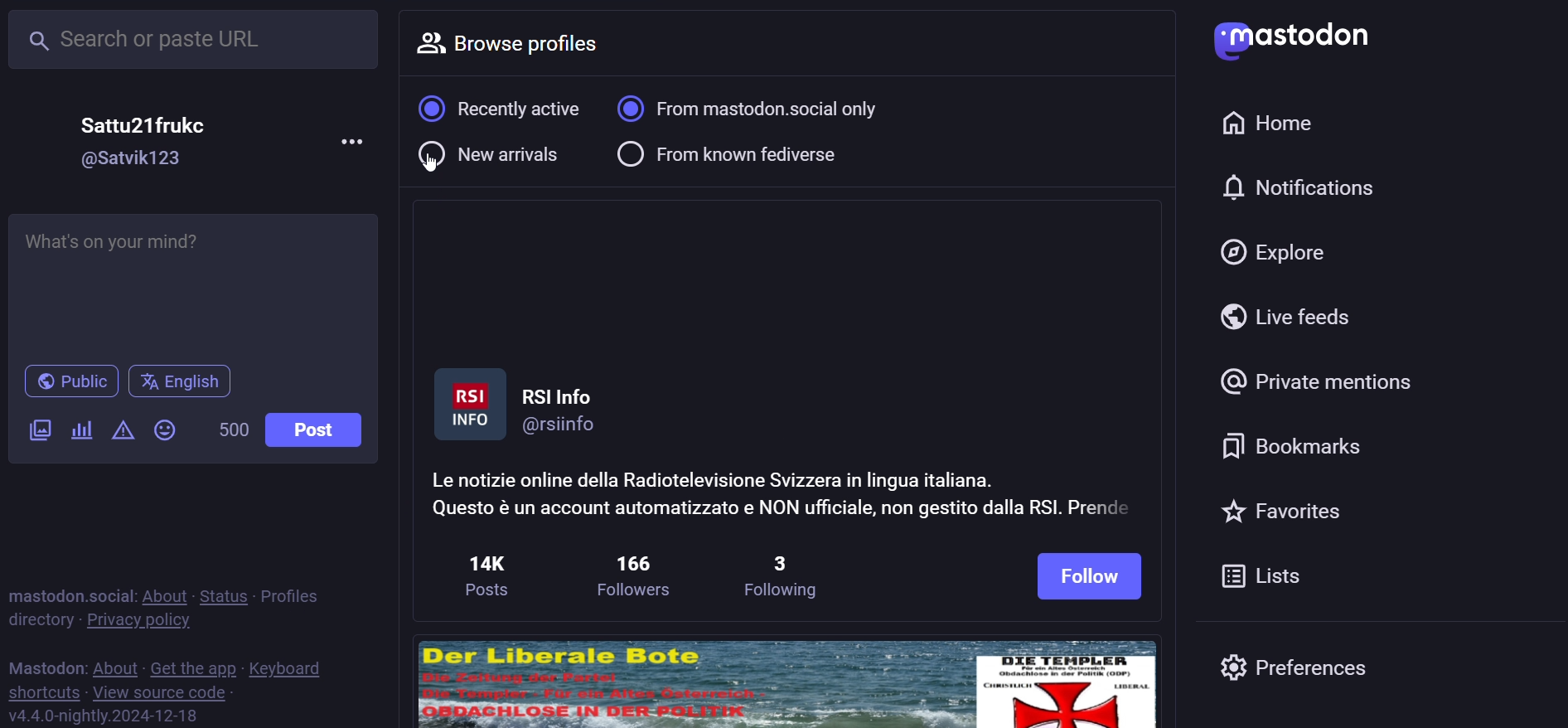 Image resolution: width=1568 pixels, height=728 pixels. What do you see at coordinates (45, 668) in the screenshot?
I see `mastodon` at bounding box center [45, 668].